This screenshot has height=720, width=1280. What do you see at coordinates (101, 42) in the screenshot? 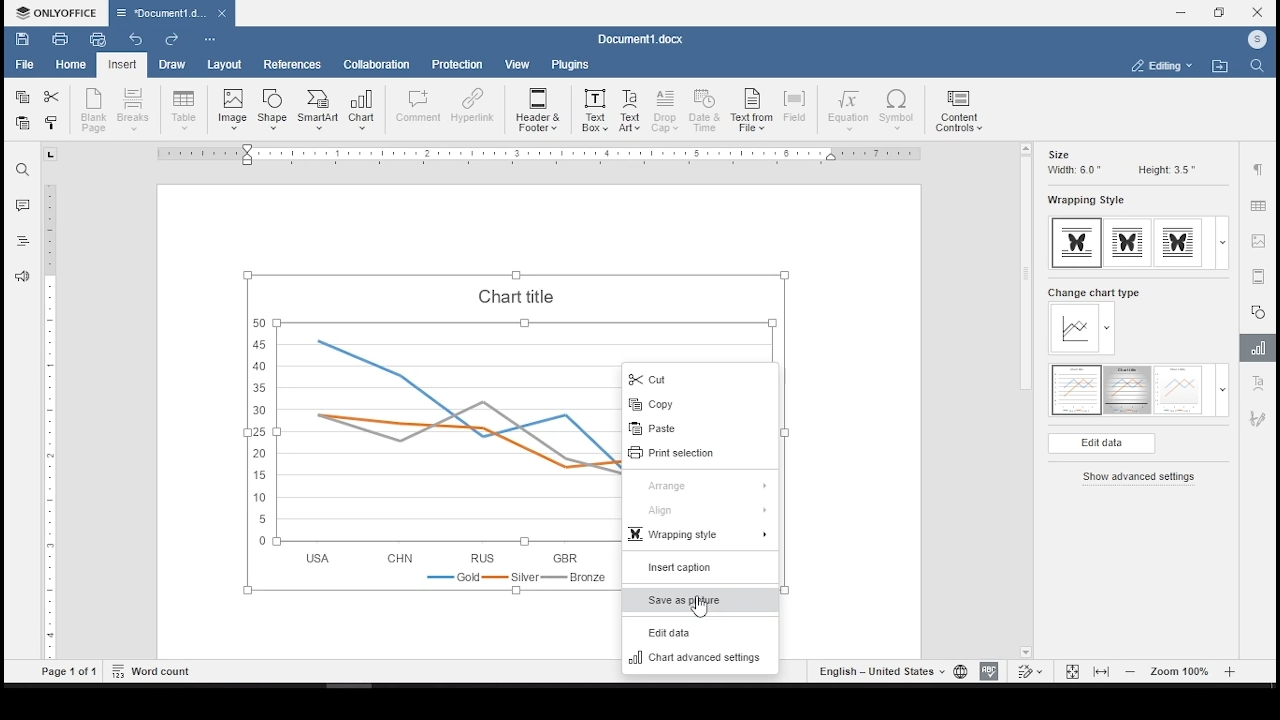
I see `quick print` at bounding box center [101, 42].